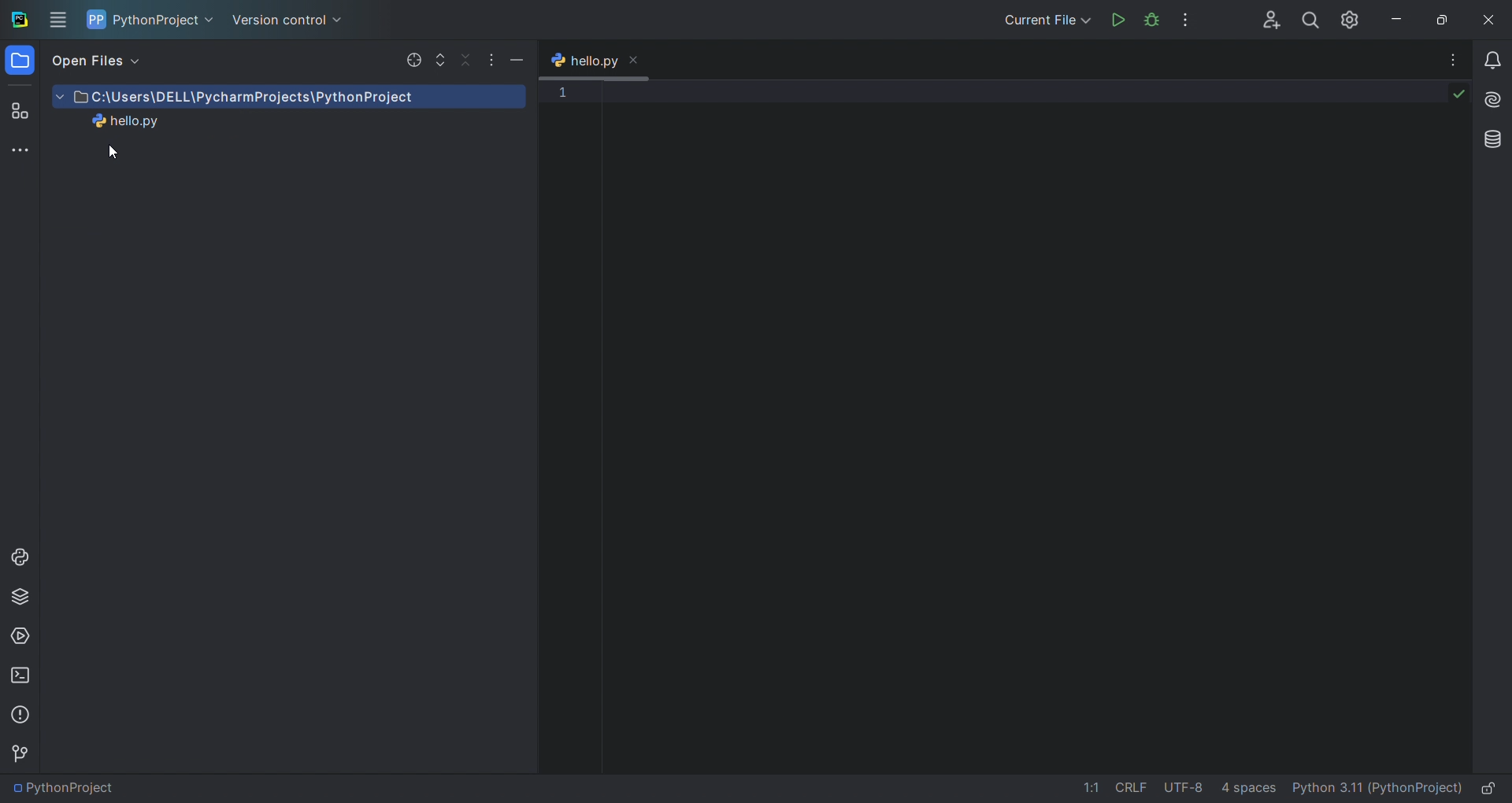 The width and height of the screenshot is (1512, 803). I want to click on add collab, so click(1263, 20).